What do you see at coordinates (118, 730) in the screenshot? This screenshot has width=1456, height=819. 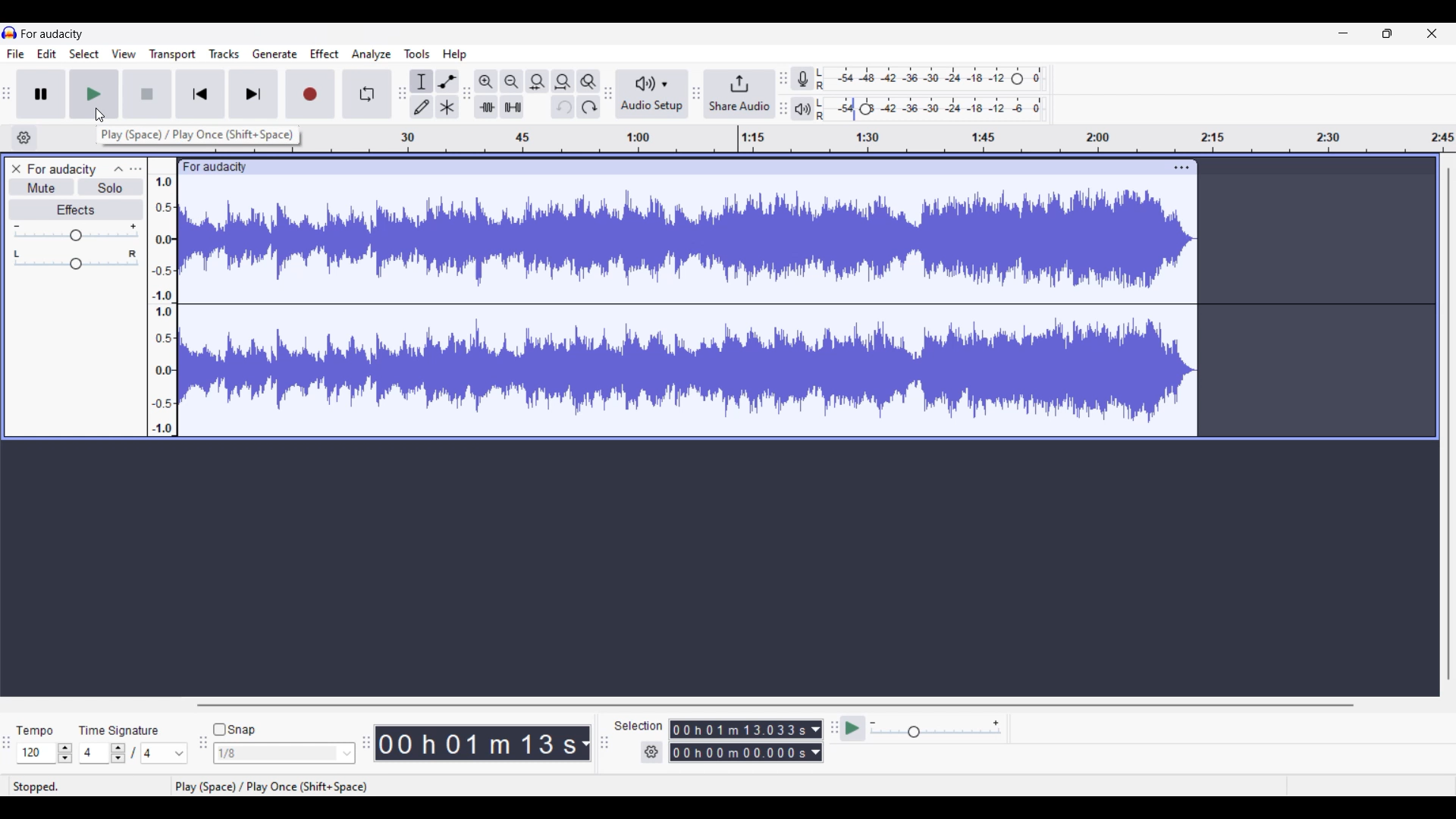 I see `Indicates time signature settings` at bounding box center [118, 730].